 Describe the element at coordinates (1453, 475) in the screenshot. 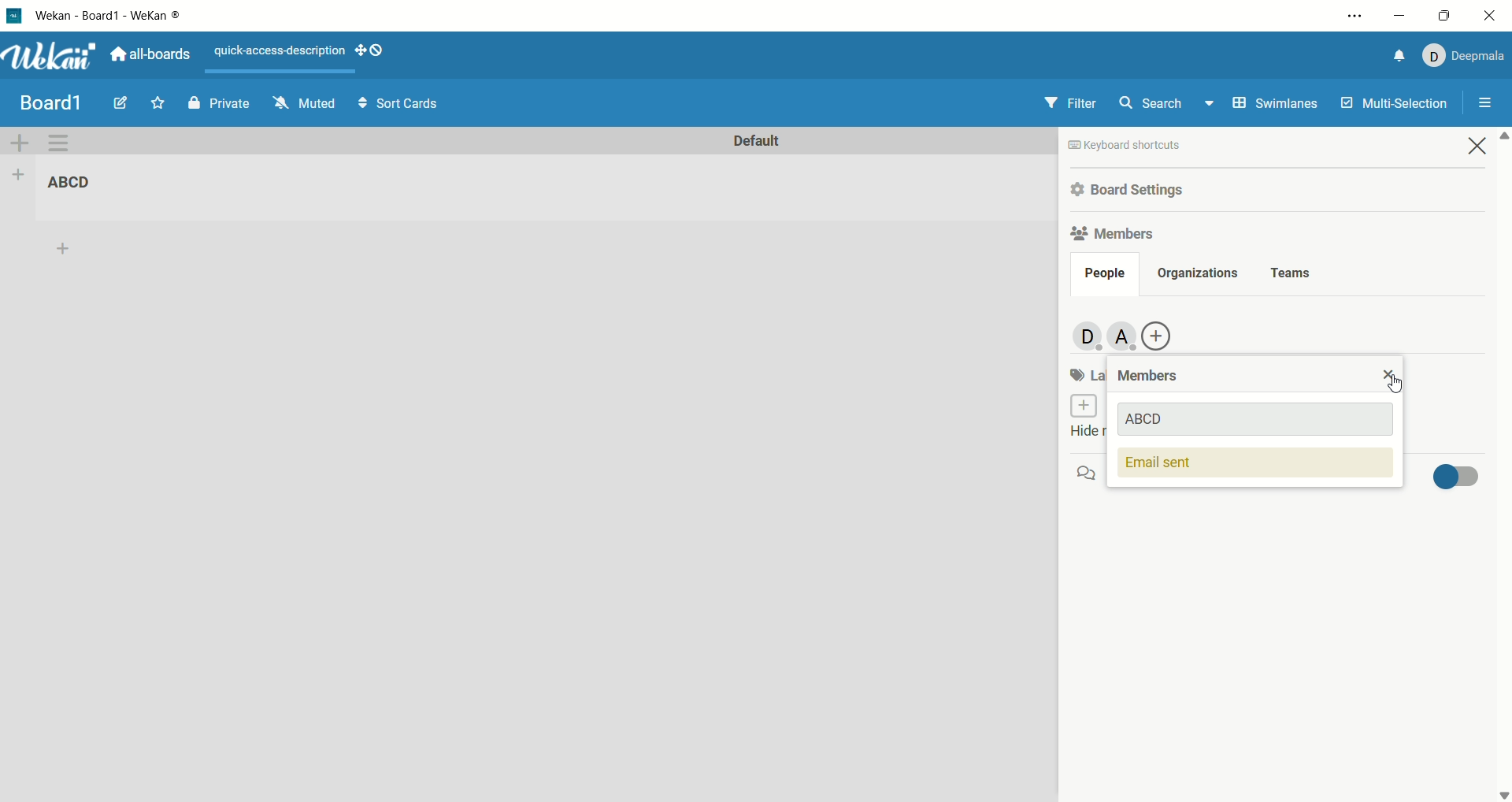

I see `toggle` at that location.